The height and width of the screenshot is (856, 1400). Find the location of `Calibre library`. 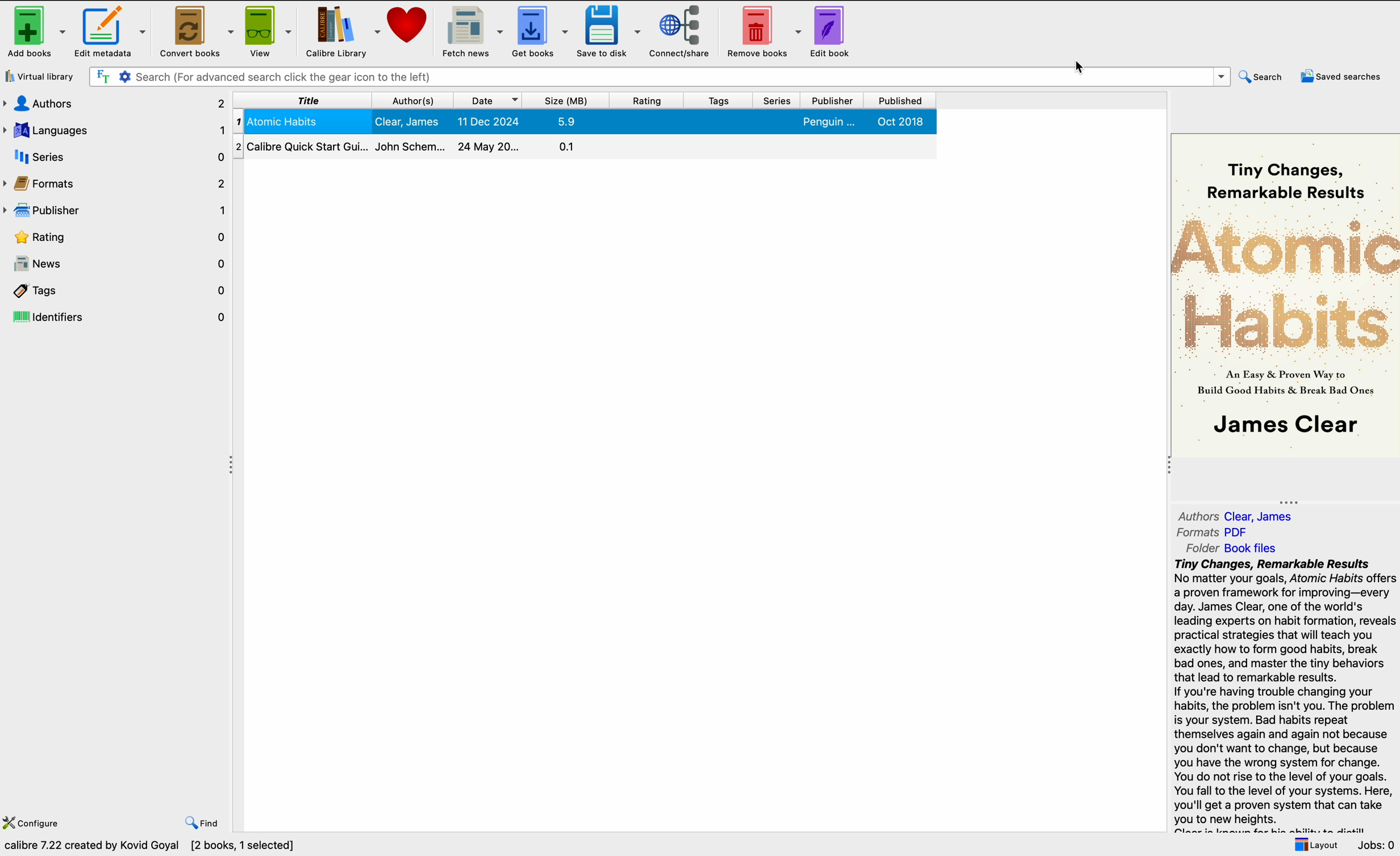

Calibre library is located at coordinates (342, 31).